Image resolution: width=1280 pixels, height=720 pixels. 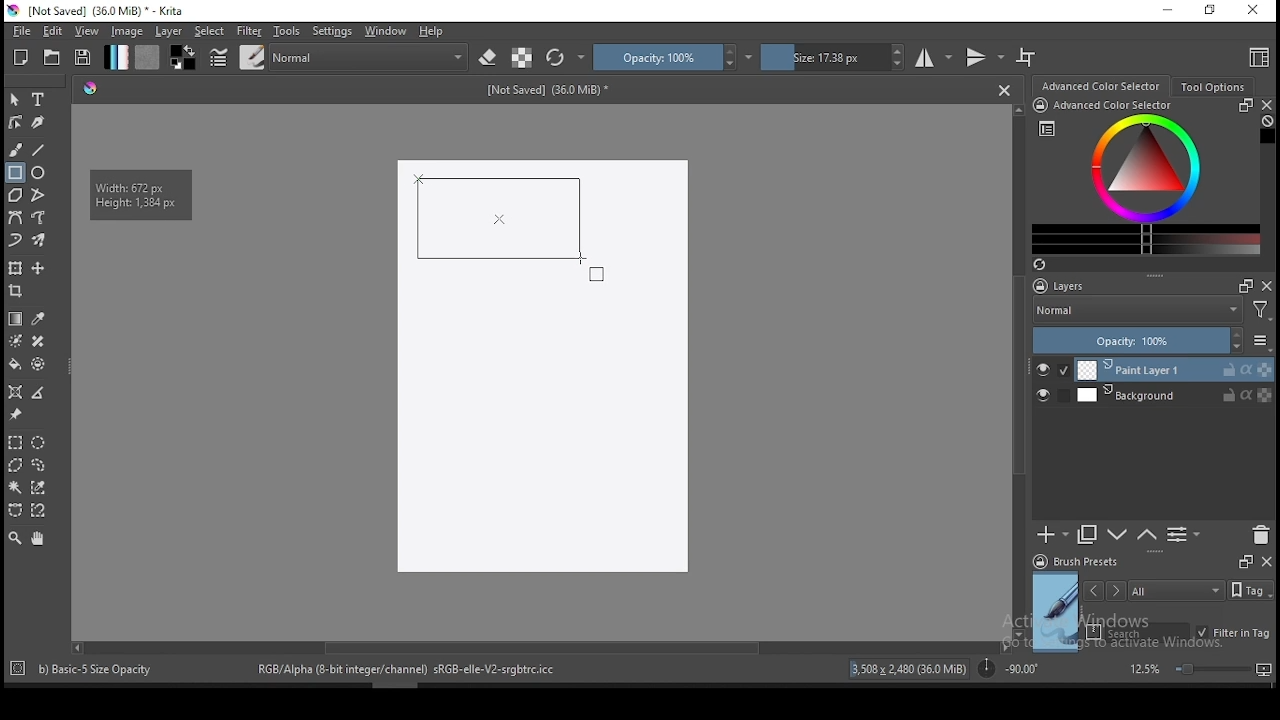 What do you see at coordinates (1056, 612) in the screenshot?
I see `preview` at bounding box center [1056, 612].